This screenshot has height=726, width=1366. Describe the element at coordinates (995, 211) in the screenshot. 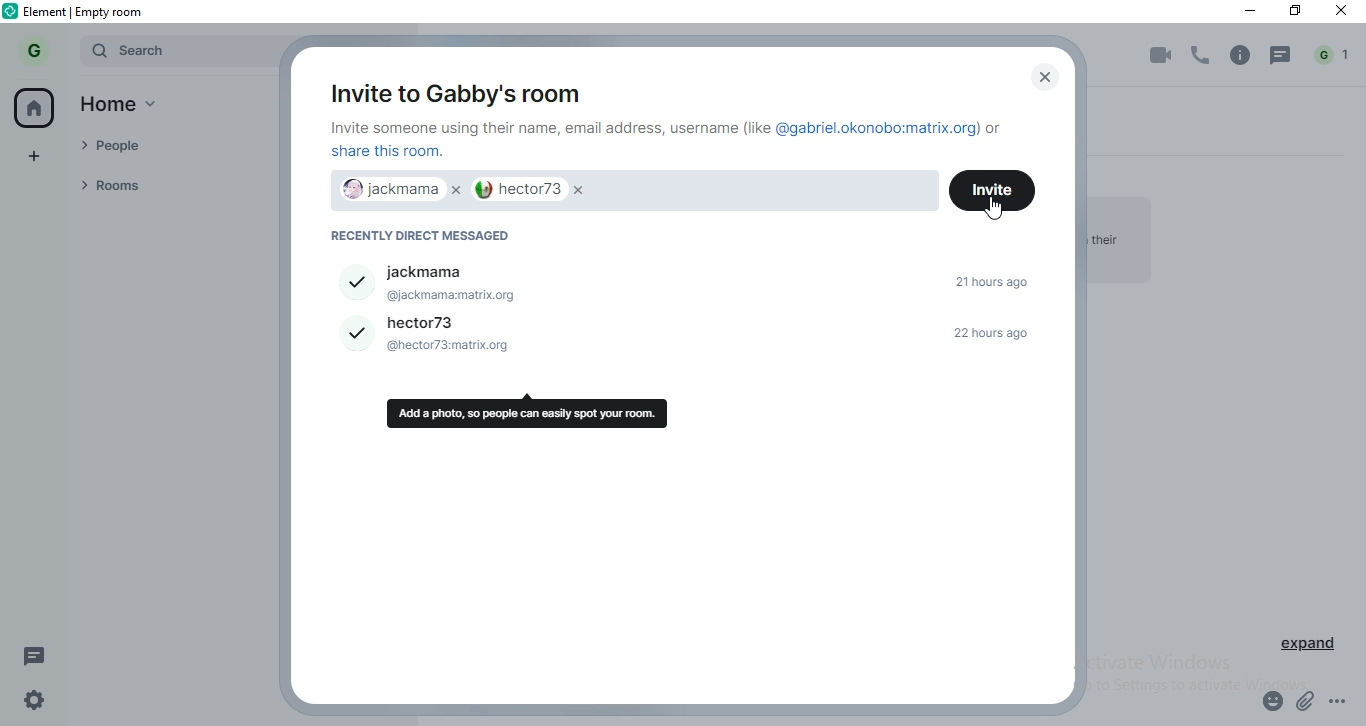

I see `cursor` at that location.